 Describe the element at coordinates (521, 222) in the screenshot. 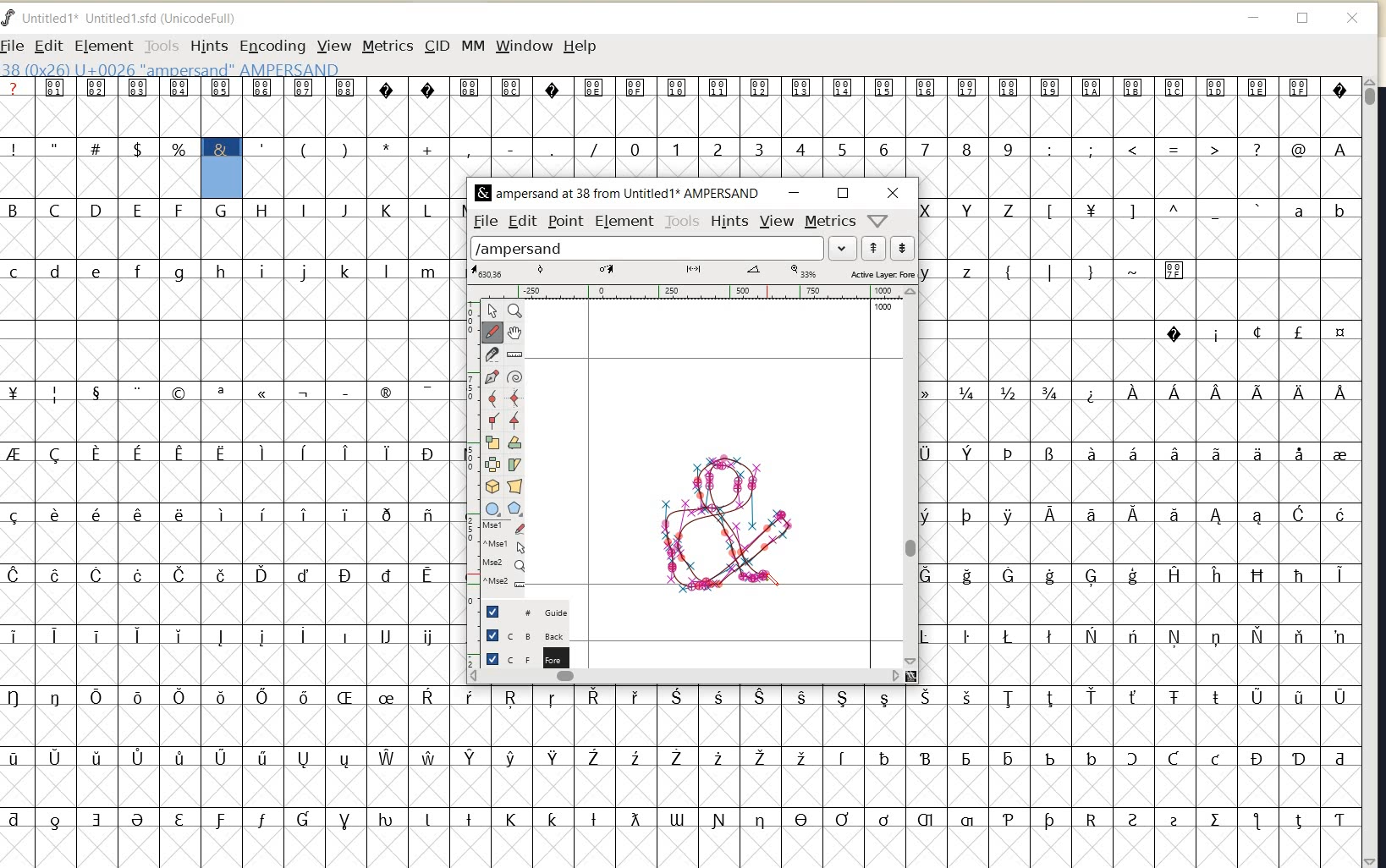

I see `EDIT` at that location.